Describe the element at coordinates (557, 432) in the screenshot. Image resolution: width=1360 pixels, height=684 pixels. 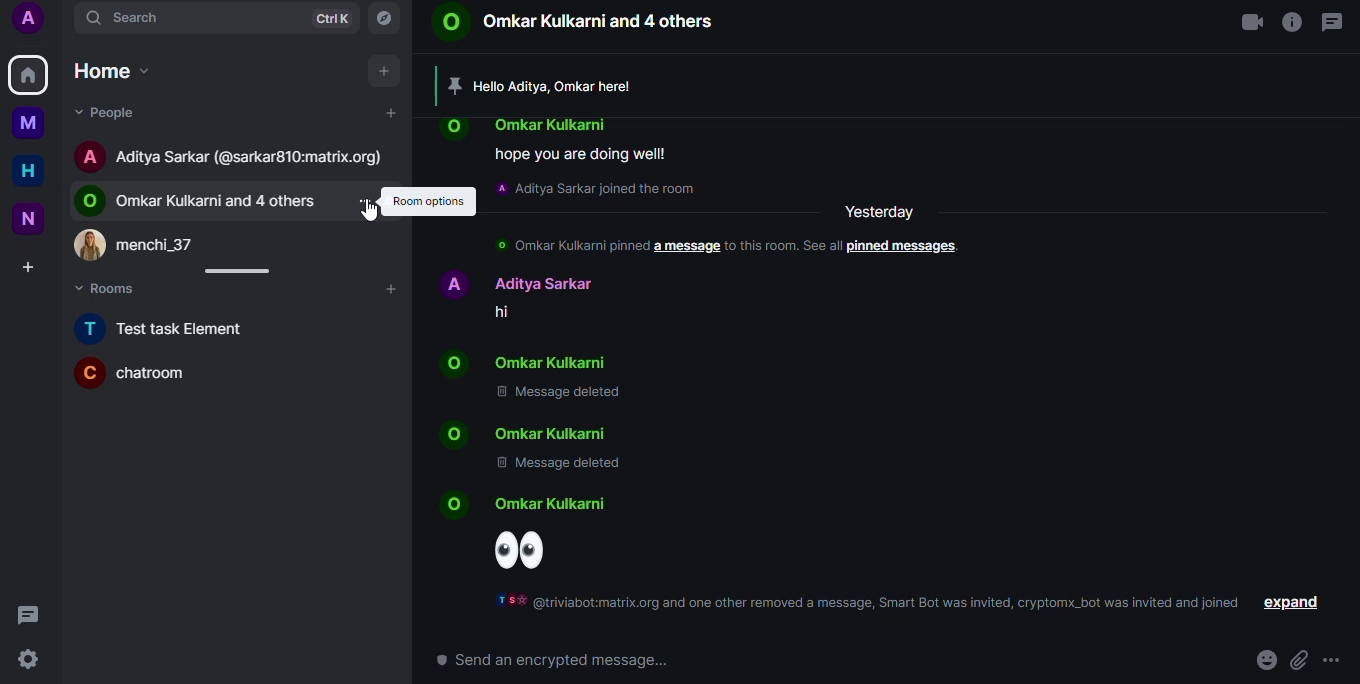
I see `o Omkar Kulkarni` at that location.